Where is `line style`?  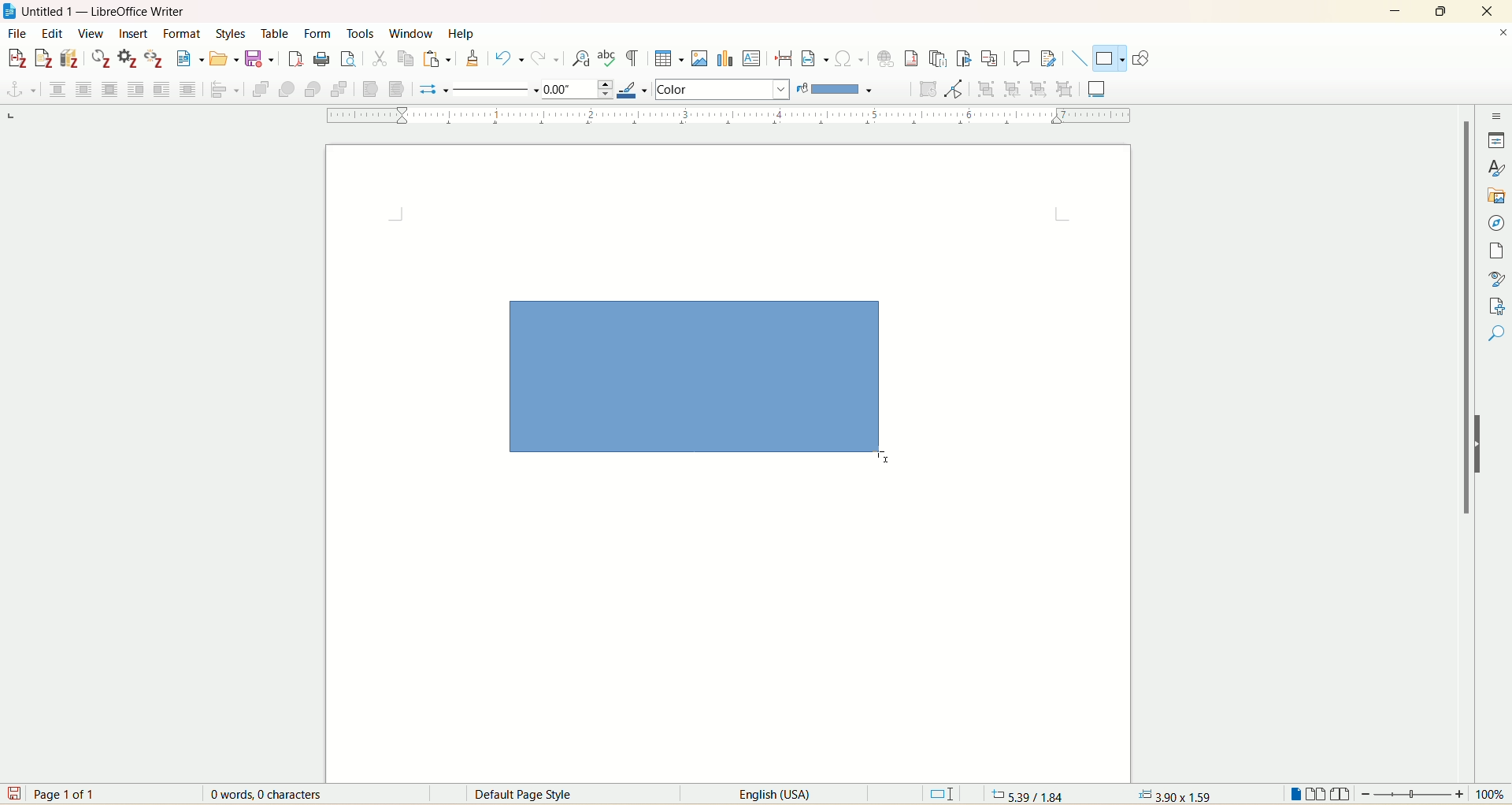
line style is located at coordinates (497, 89).